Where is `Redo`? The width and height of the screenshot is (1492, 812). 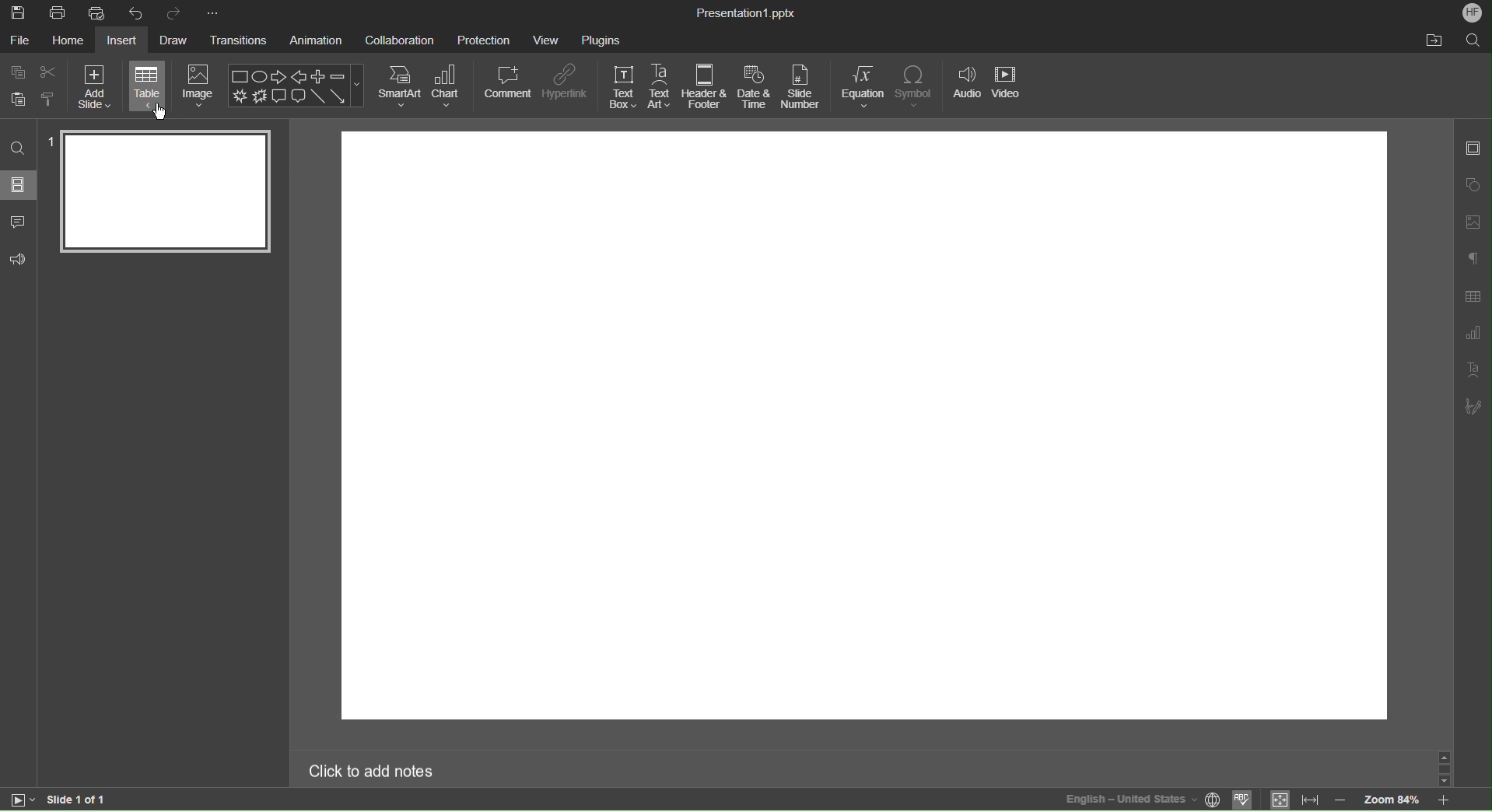 Redo is located at coordinates (179, 13).